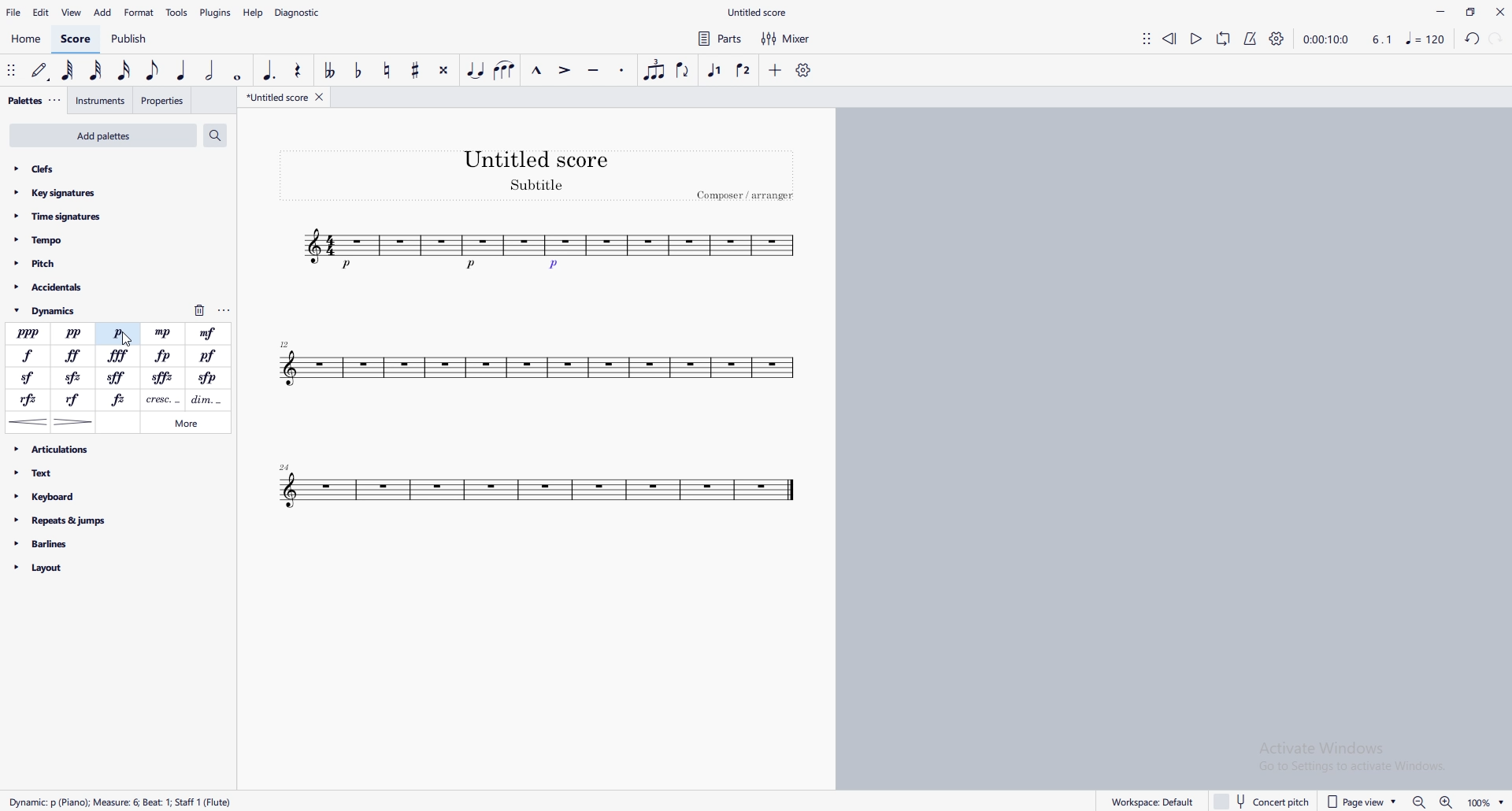 This screenshot has height=811, width=1512. Describe the element at coordinates (1147, 38) in the screenshot. I see `adjust` at that location.